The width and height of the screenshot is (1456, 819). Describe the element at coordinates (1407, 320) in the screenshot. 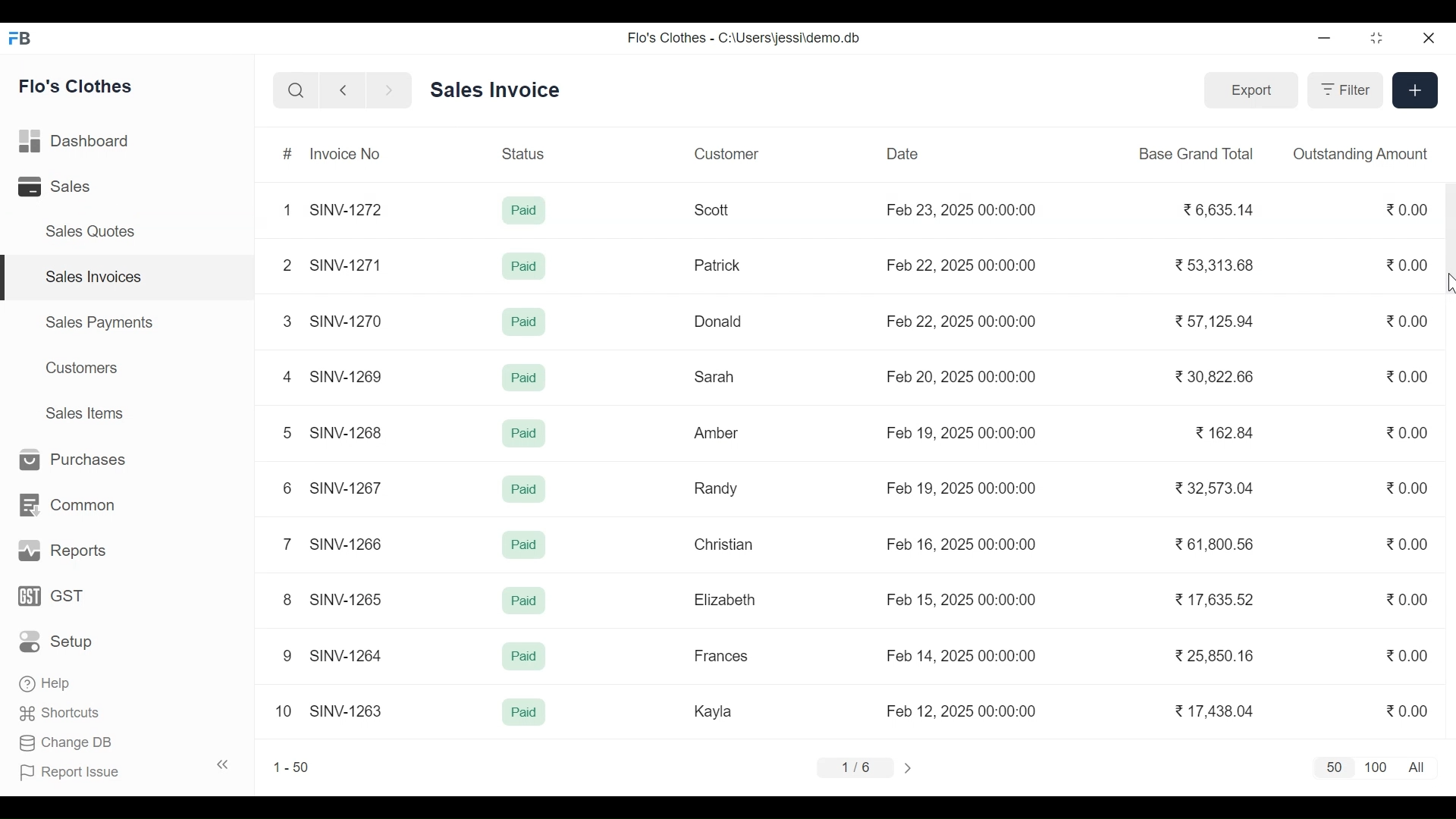

I see `0.00` at that location.